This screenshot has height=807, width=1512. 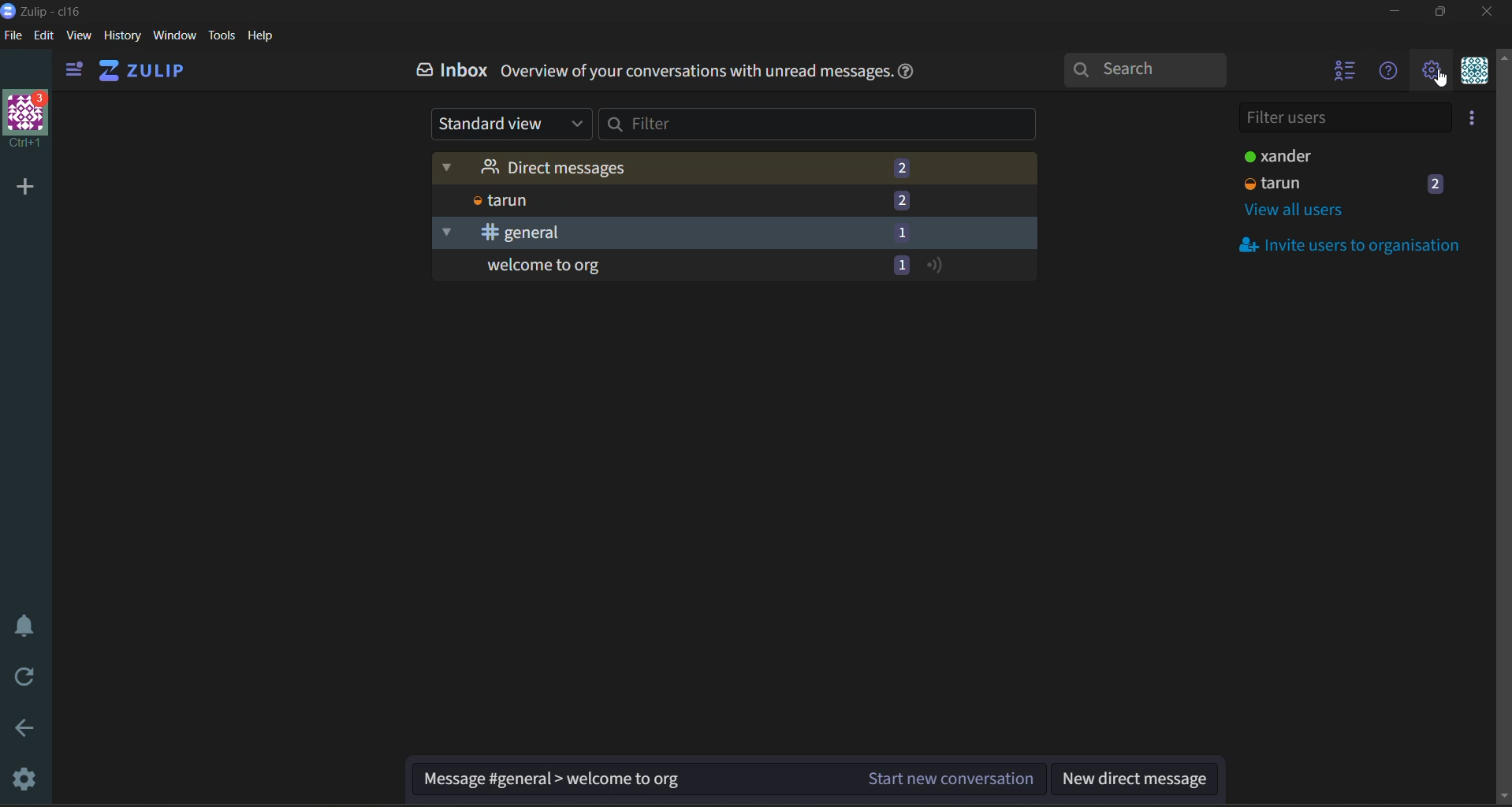 What do you see at coordinates (653, 232) in the screenshot?
I see `general` at bounding box center [653, 232].